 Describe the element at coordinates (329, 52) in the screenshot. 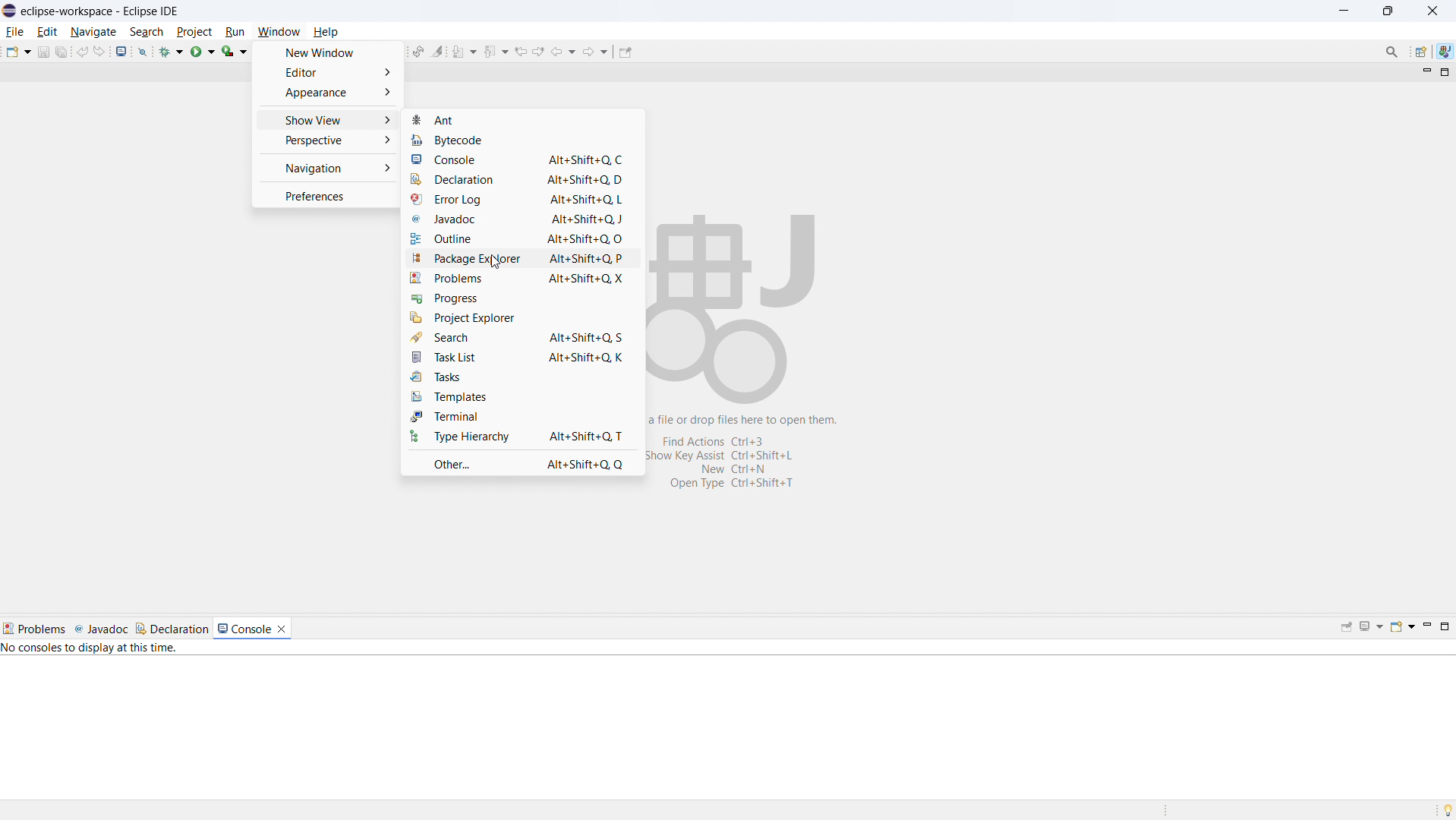

I see `new window` at that location.